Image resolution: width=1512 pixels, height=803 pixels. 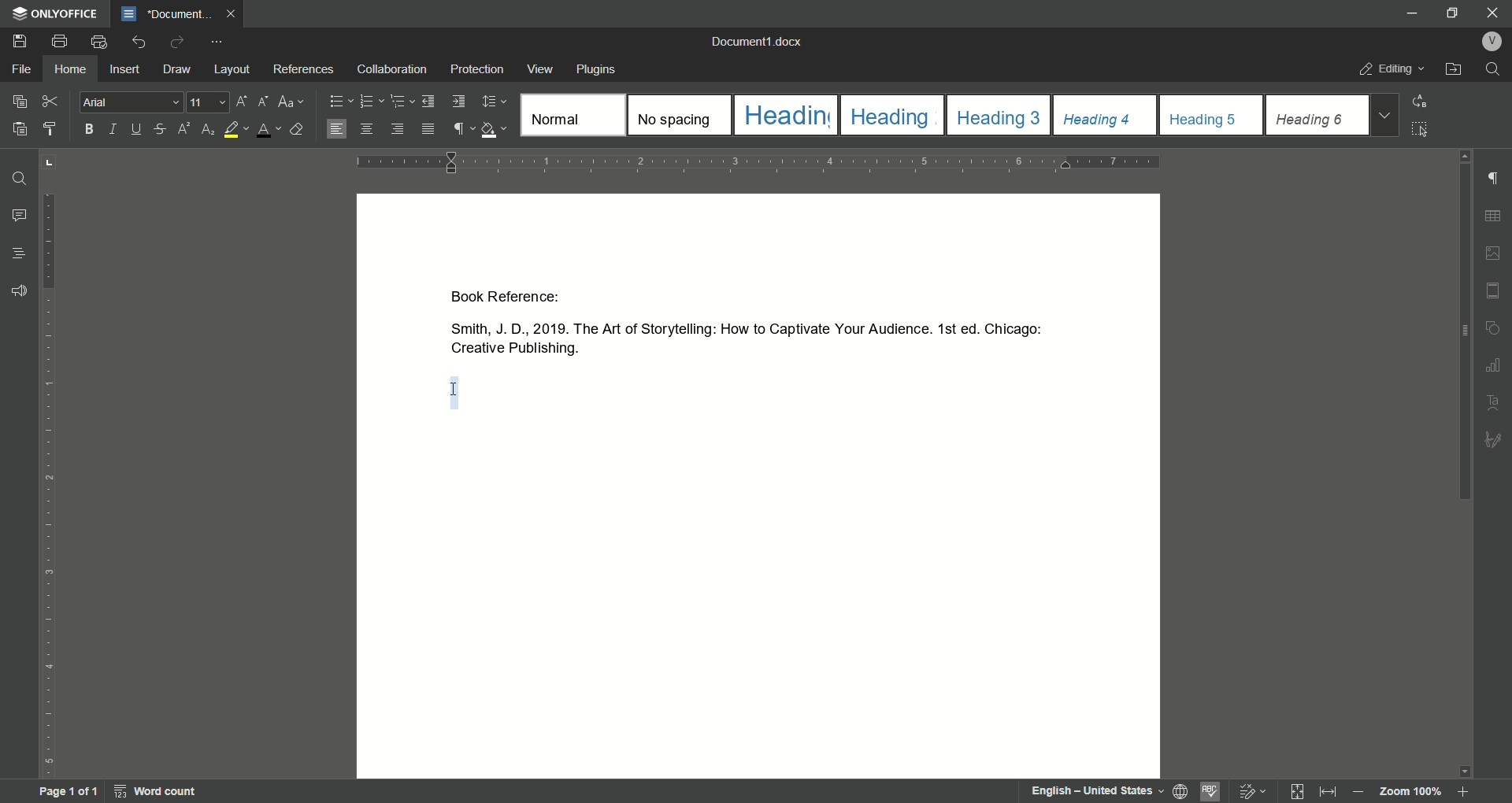 I want to click on protection, so click(x=478, y=68).